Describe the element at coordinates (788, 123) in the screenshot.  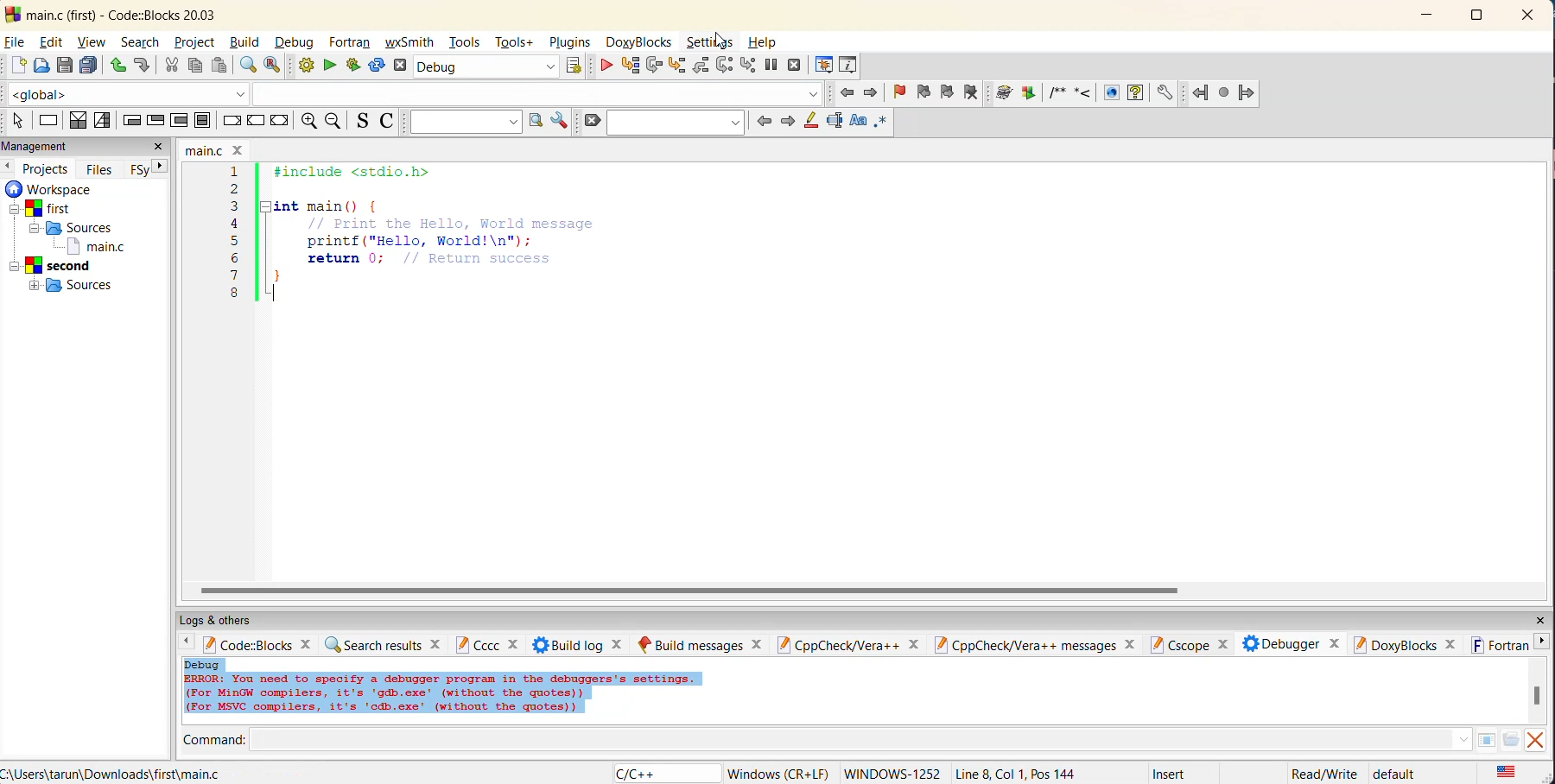
I see `next` at that location.